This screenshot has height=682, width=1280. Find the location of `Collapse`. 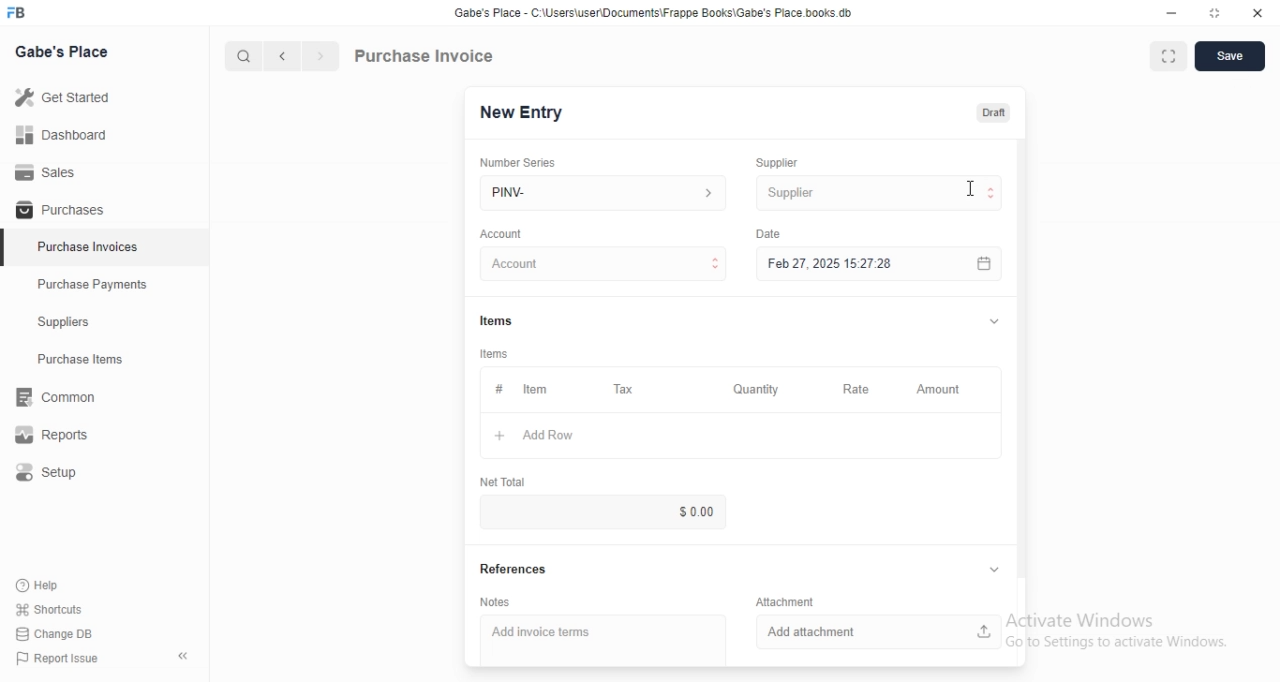

Collapse is located at coordinates (183, 656).